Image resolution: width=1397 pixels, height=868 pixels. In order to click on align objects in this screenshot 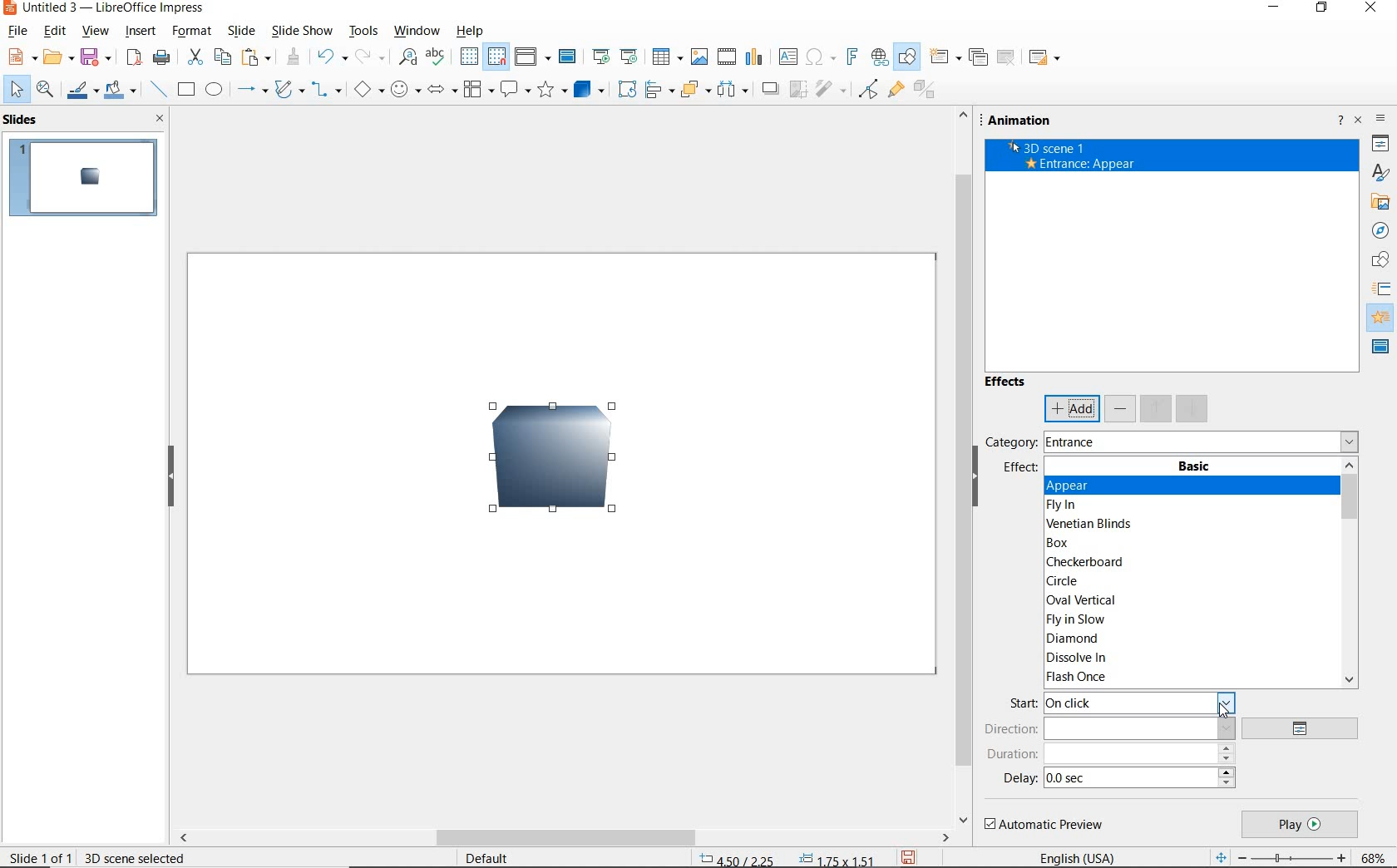, I will do `click(659, 89)`.